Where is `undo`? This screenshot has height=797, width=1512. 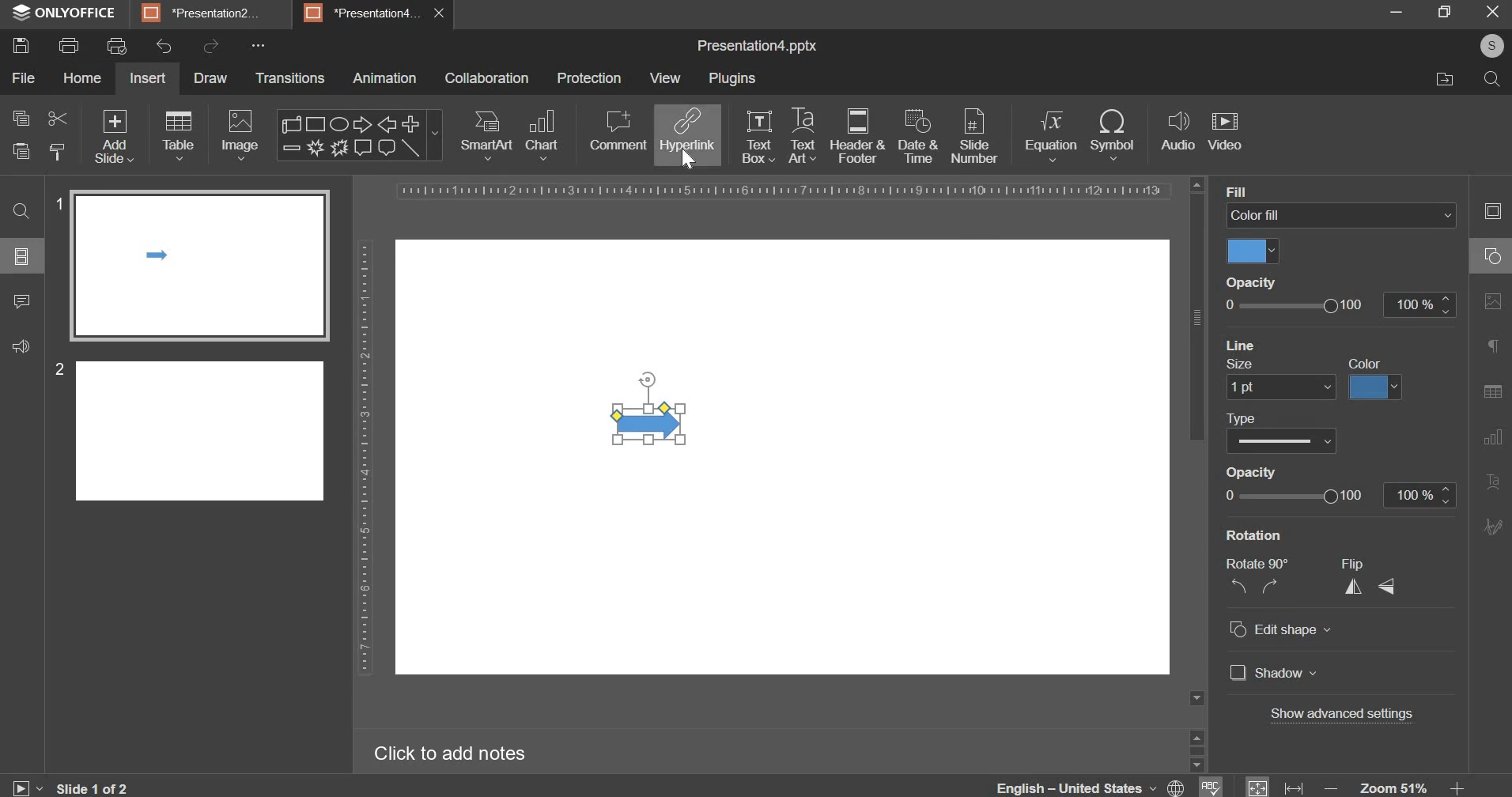 undo is located at coordinates (164, 47).